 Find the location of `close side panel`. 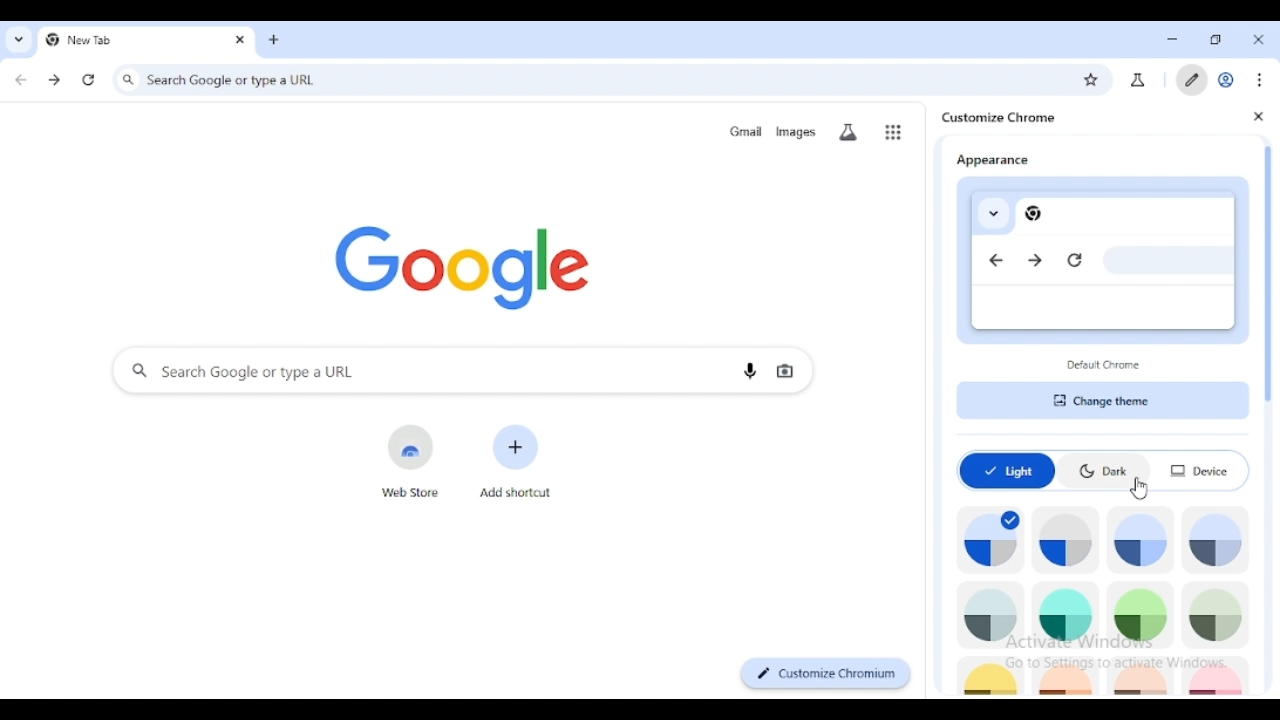

close side panel is located at coordinates (1258, 117).